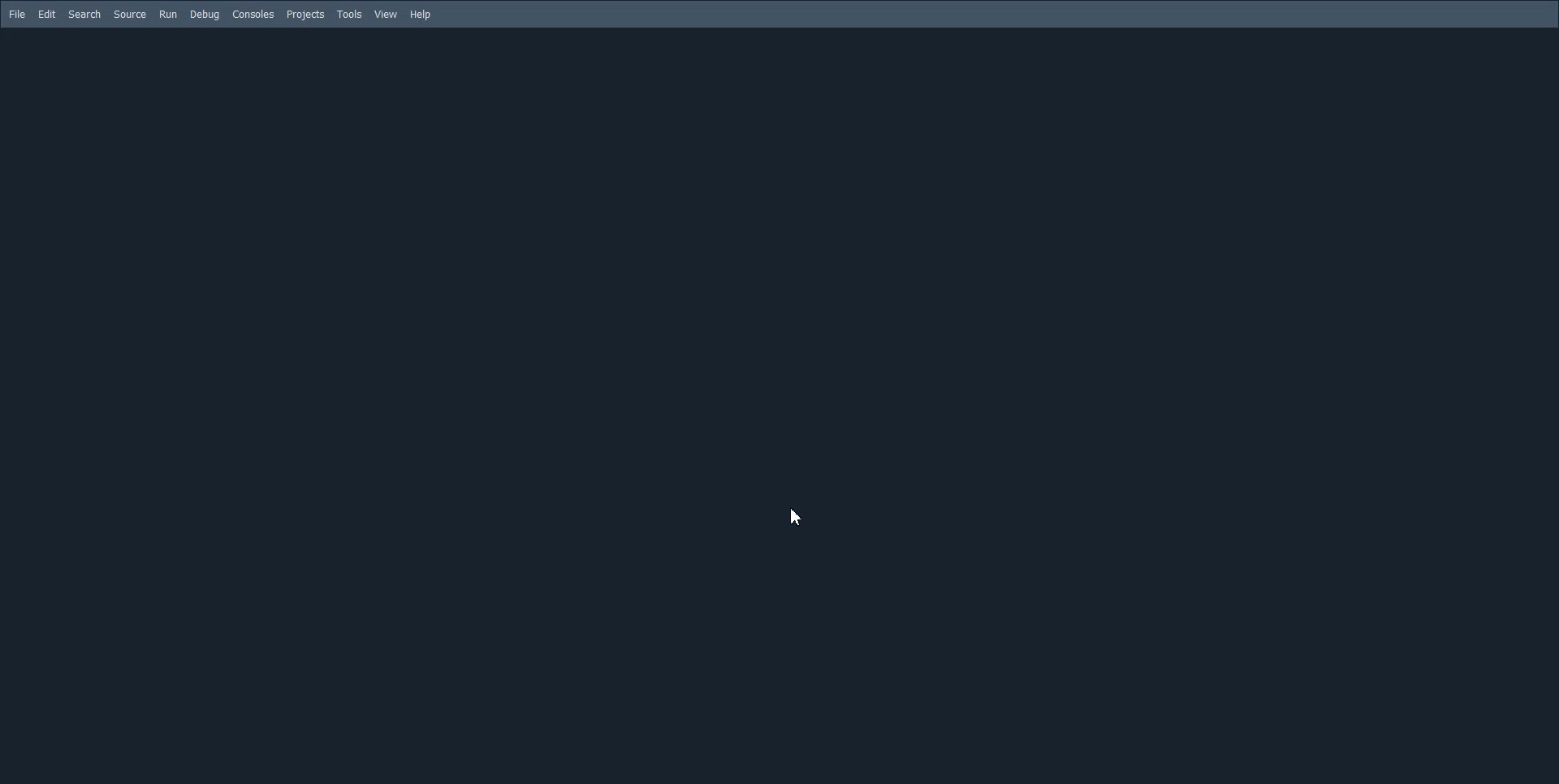  I want to click on View, so click(387, 14).